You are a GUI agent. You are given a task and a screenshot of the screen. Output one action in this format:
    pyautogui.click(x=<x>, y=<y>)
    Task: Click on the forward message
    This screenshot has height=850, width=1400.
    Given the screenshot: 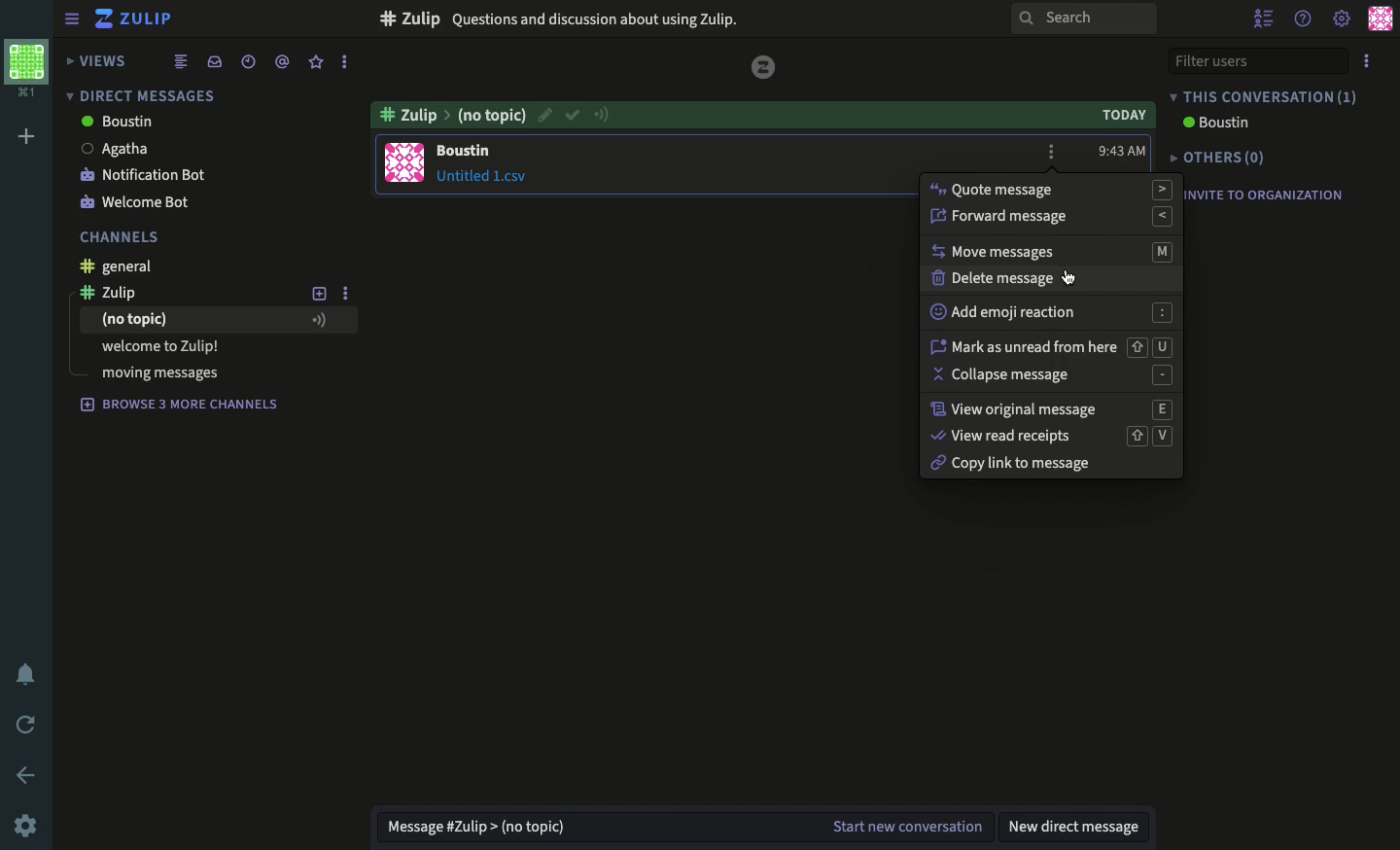 What is the action you would take?
    pyautogui.click(x=1051, y=217)
    